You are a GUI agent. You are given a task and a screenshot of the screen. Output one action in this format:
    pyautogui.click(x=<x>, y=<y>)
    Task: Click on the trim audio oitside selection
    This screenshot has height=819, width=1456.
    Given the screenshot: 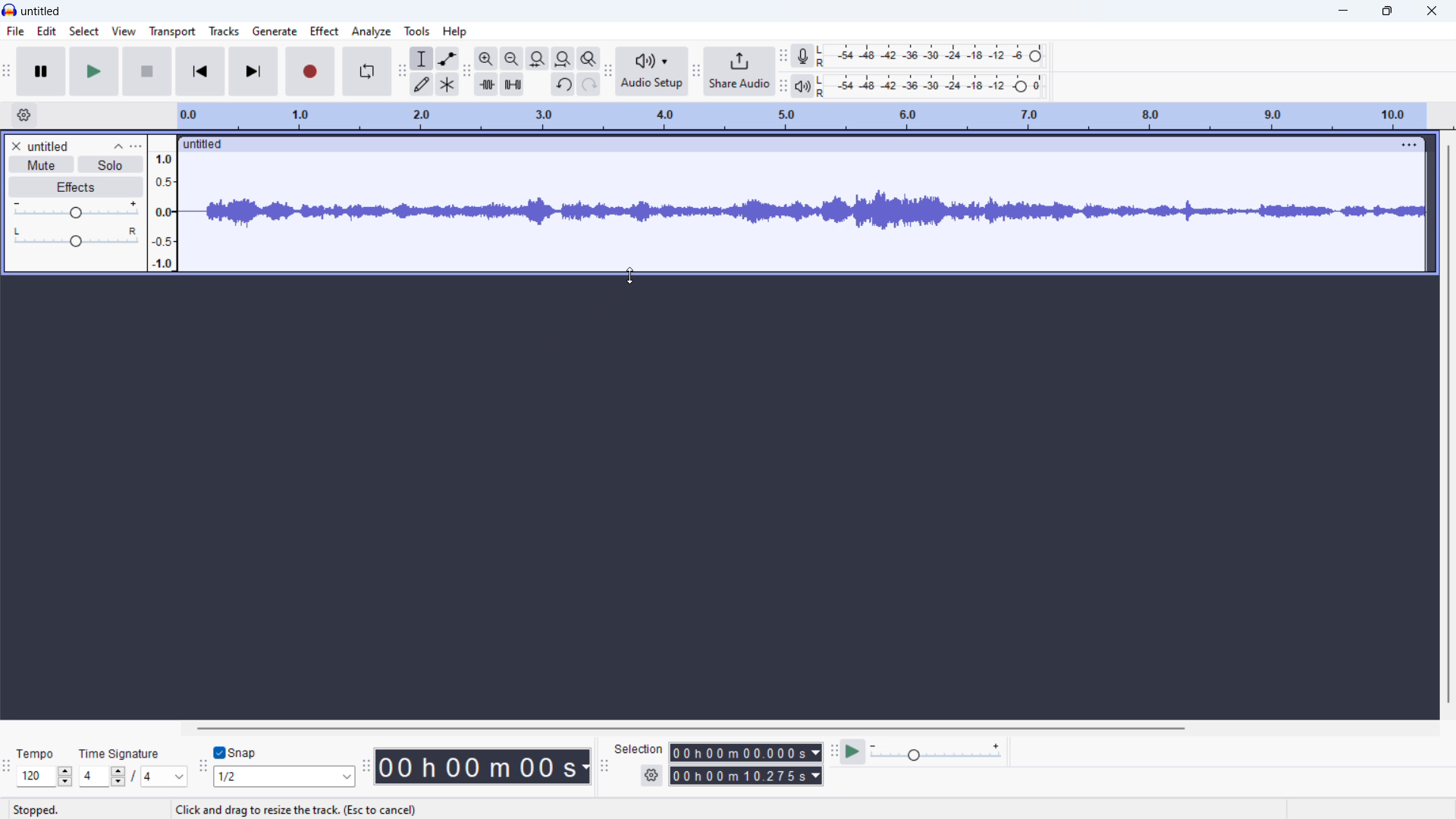 What is the action you would take?
    pyautogui.click(x=487, y=84)
    